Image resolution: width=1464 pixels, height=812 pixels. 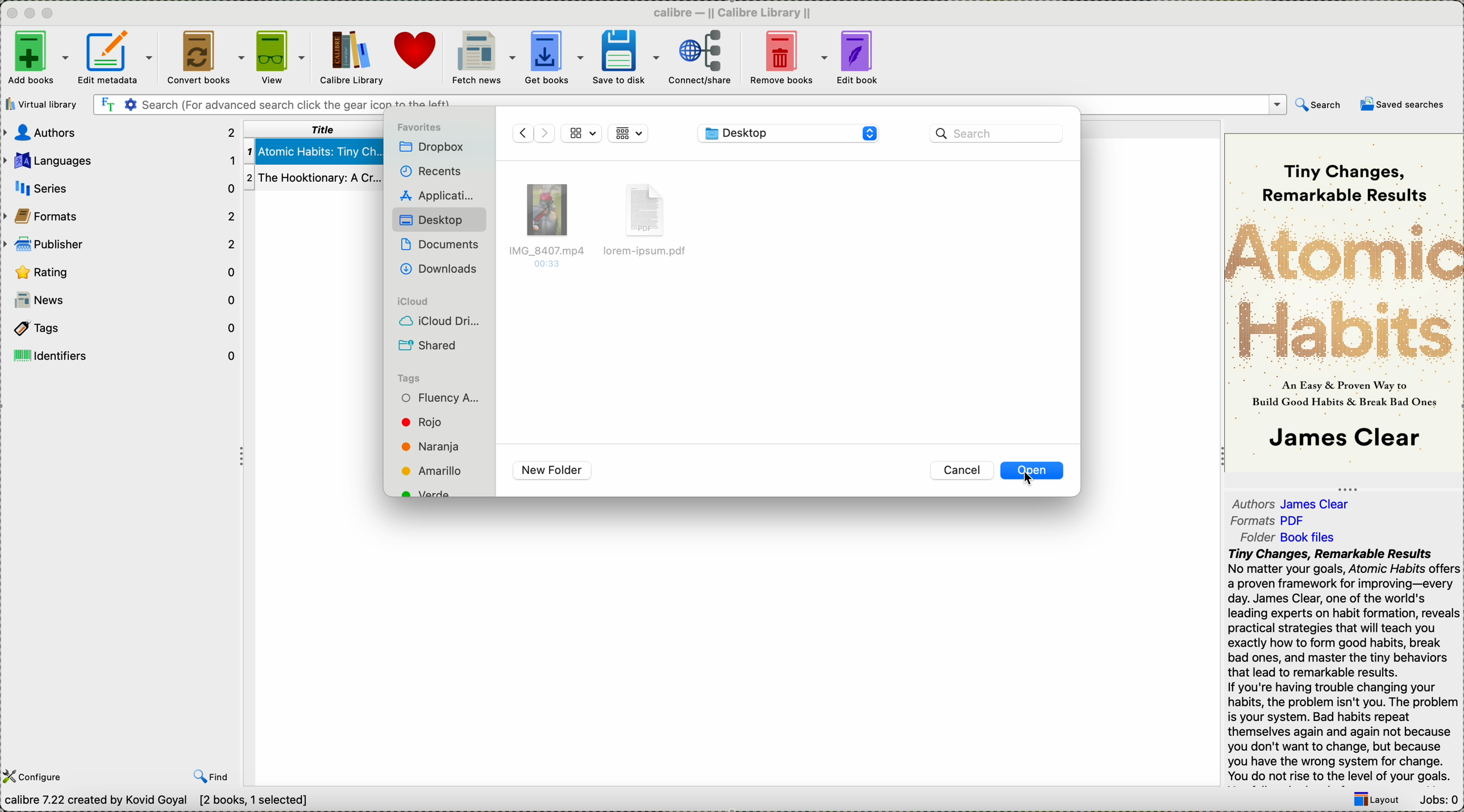 What do you see at coordinates (441, 398) in the screenshot?
I see `tag` at bounding box center [441, 398].